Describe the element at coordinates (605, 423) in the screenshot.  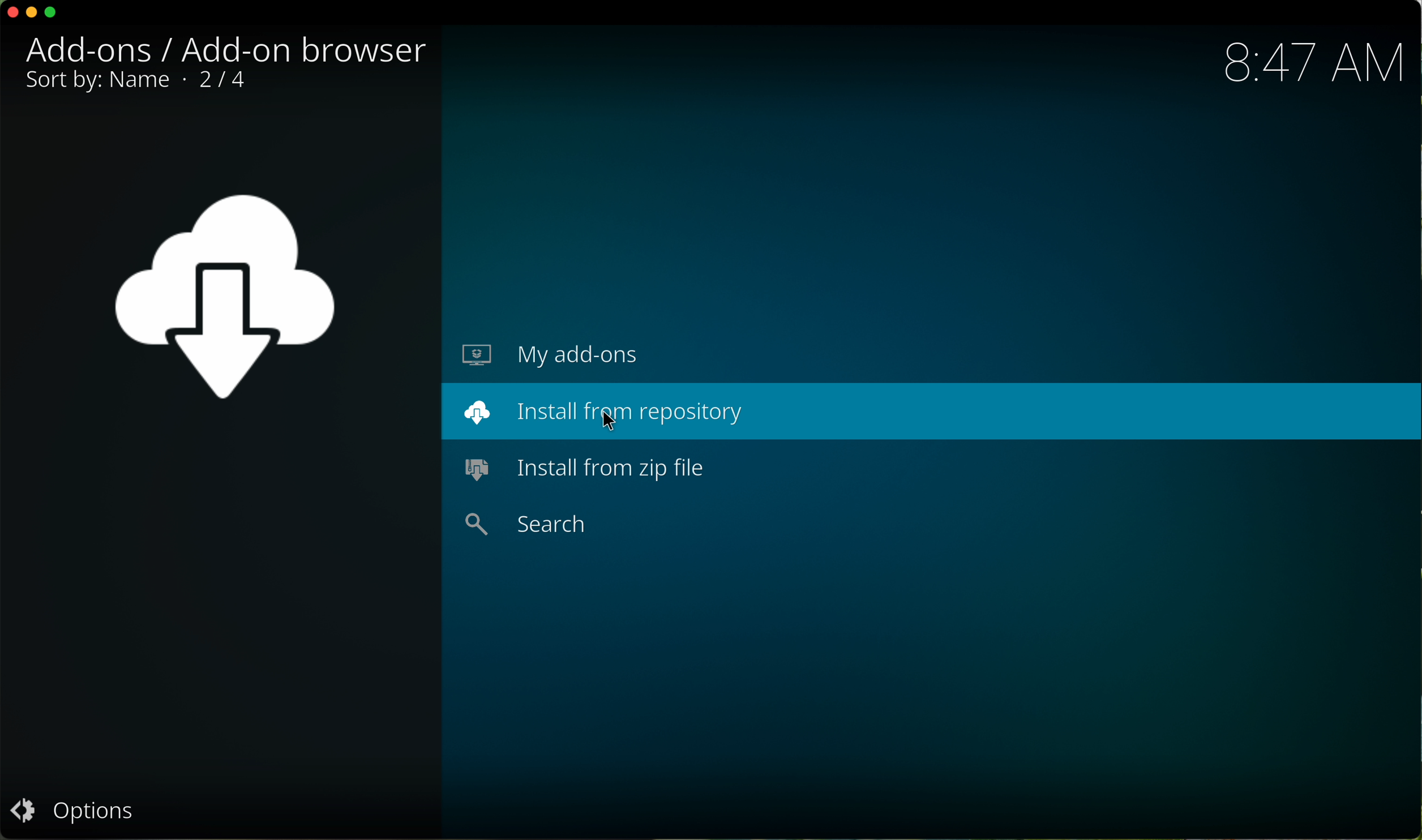
I see `cursor` at that location.